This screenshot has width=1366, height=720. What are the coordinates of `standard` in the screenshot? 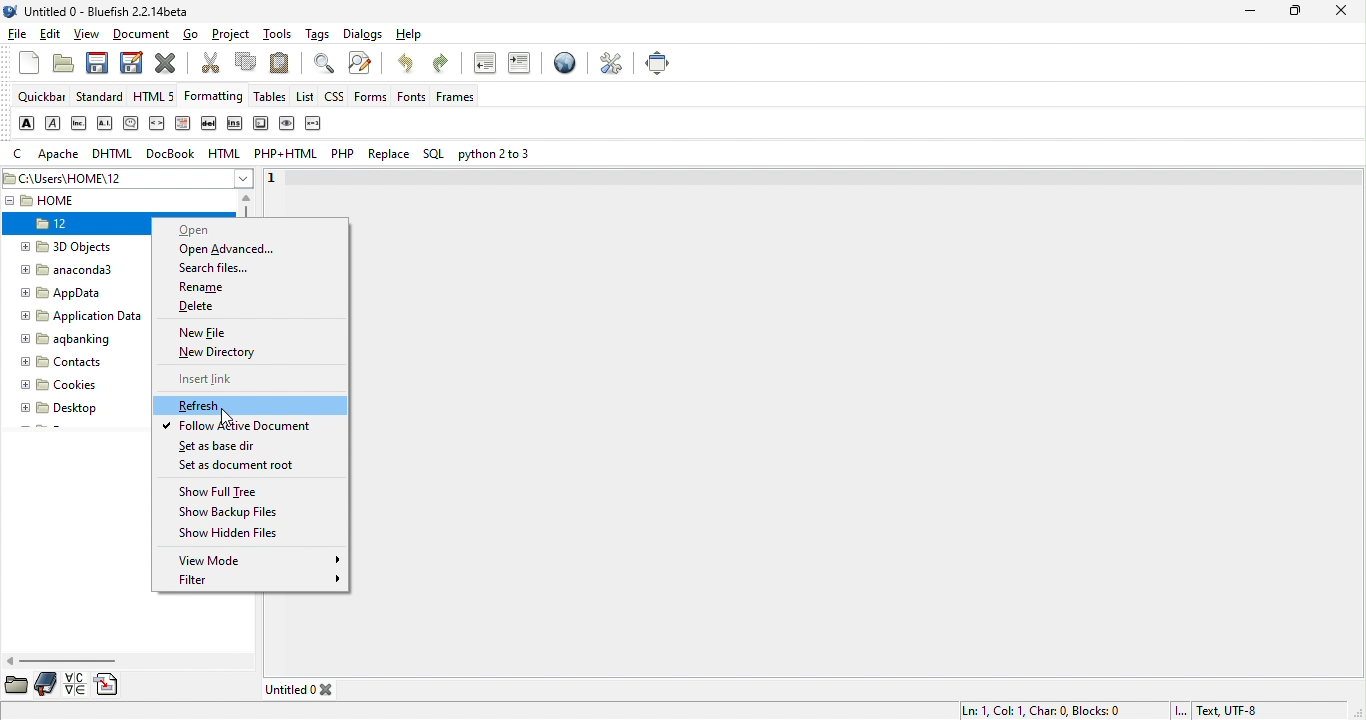 It's located at (99, 98).